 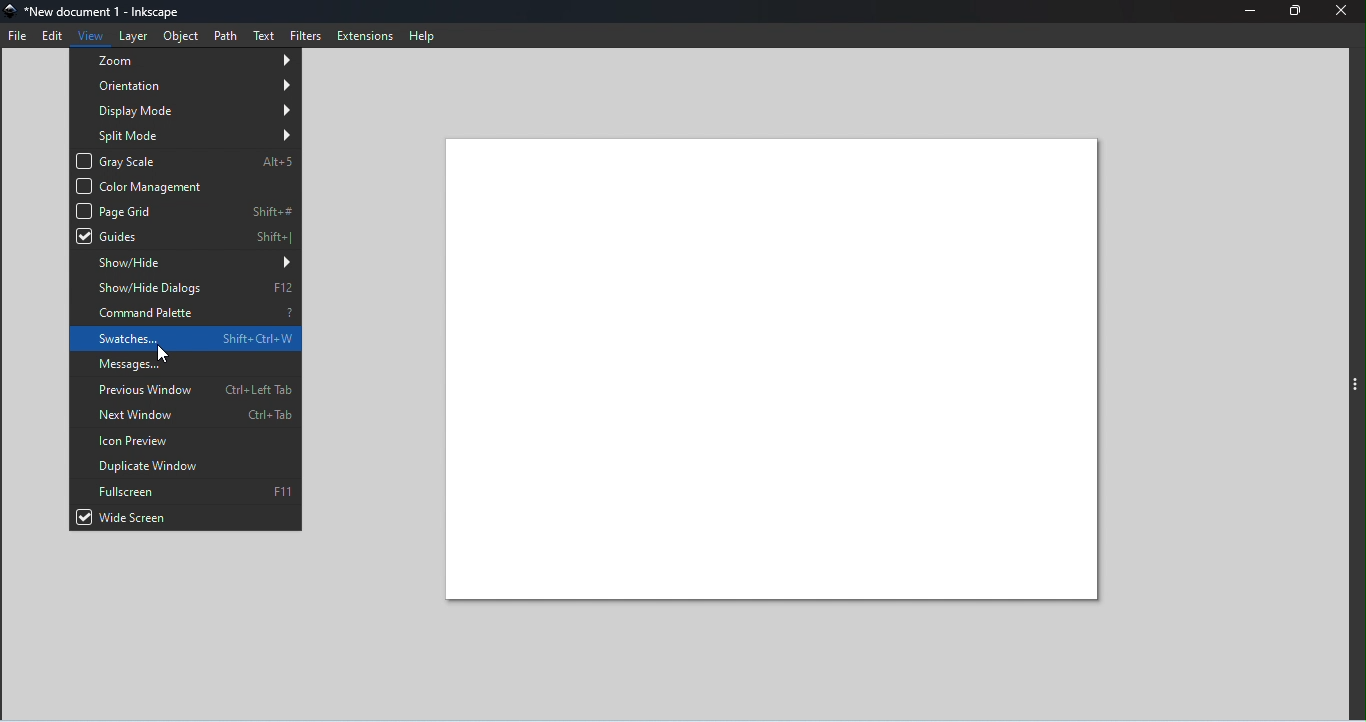 I want to click on Fullscreen, so click(x=182, y=490).